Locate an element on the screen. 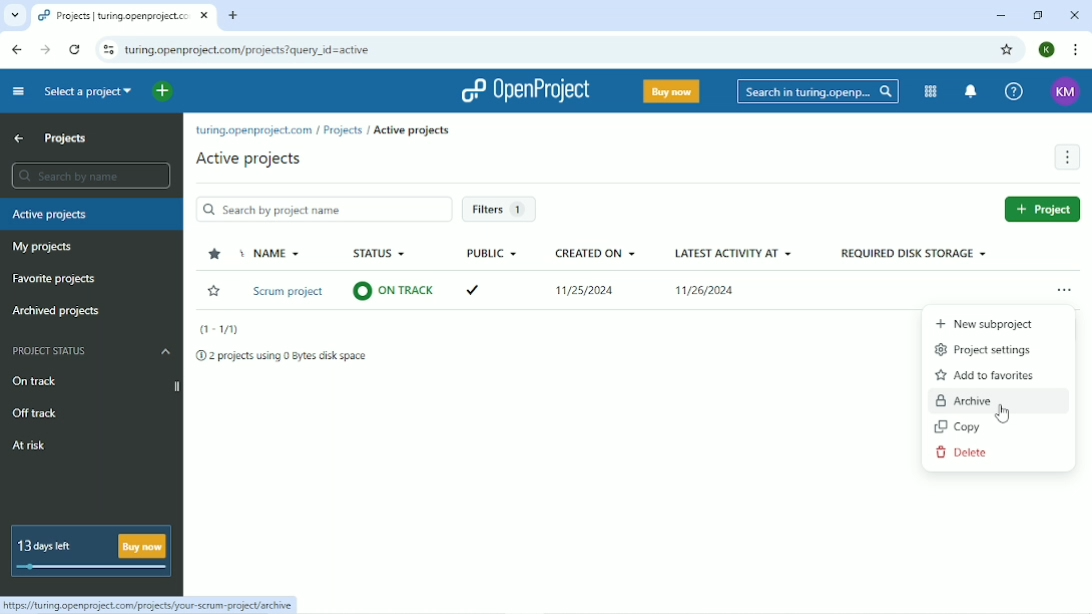  Add to favorites is located at coordinates (987, 375).